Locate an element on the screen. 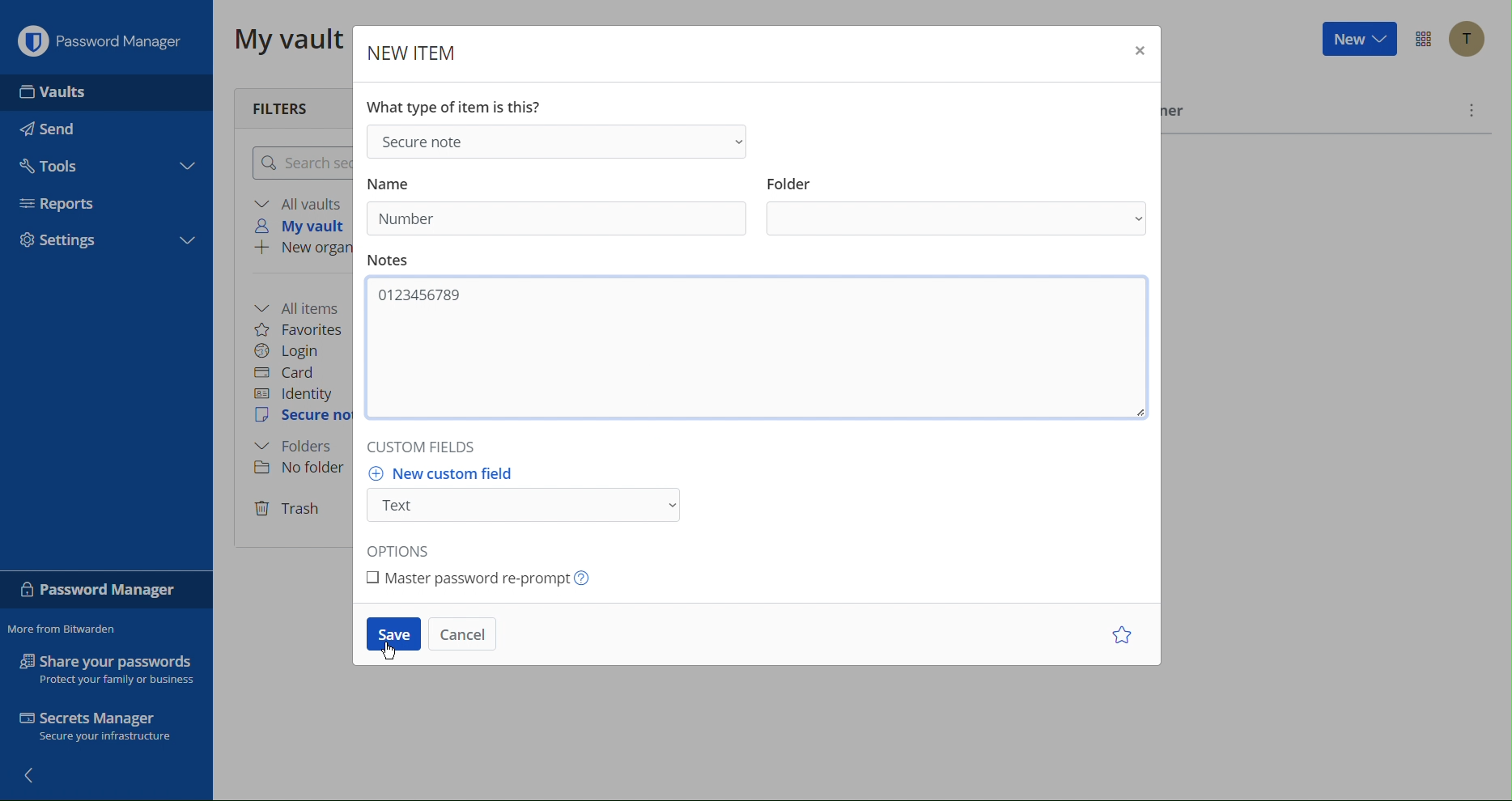  No folder is located at coordinates (298, 469).